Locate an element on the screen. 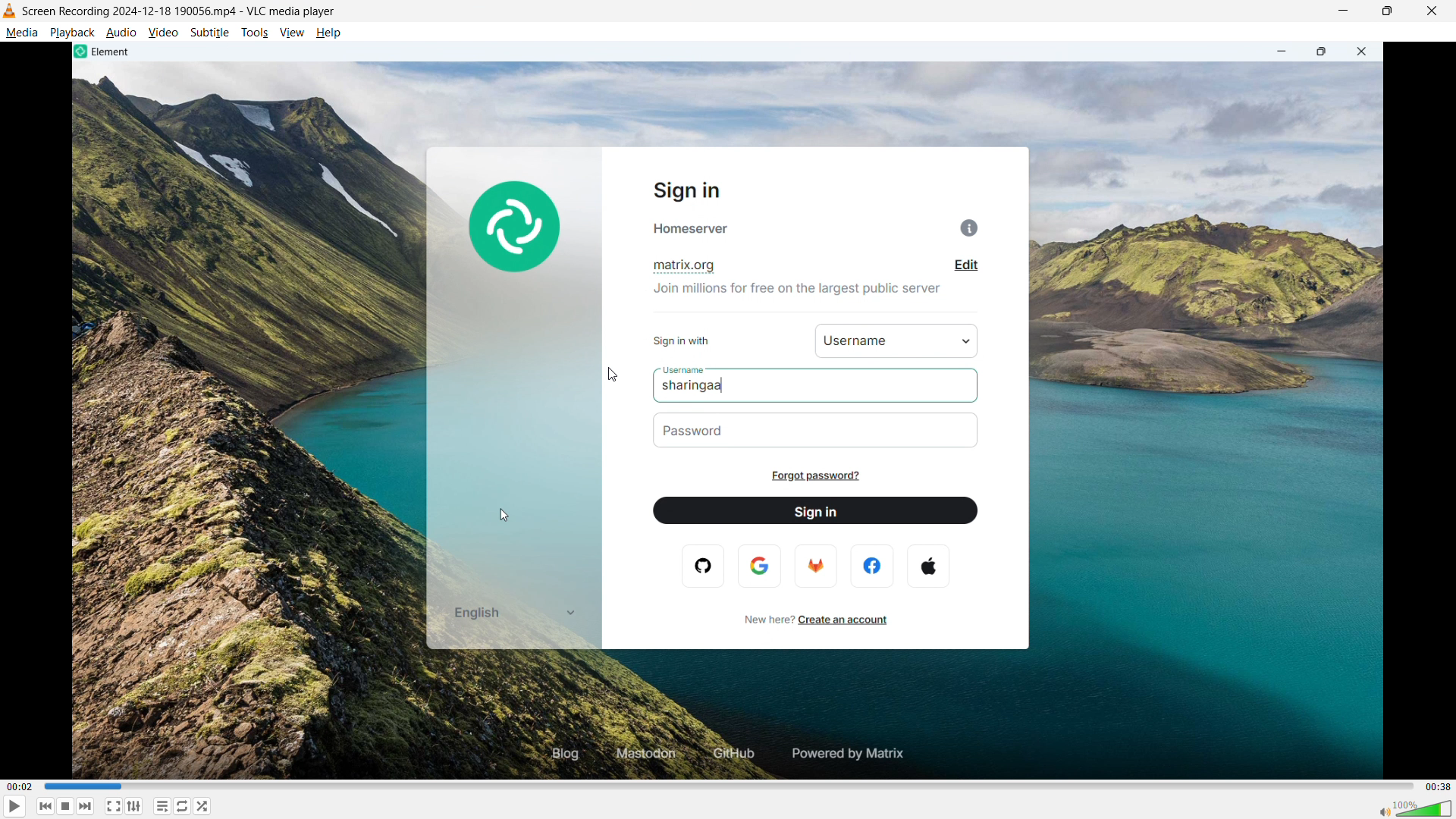 This screenshot has height=819, width=1456. 00:32 is located at coordinates (20, 786).